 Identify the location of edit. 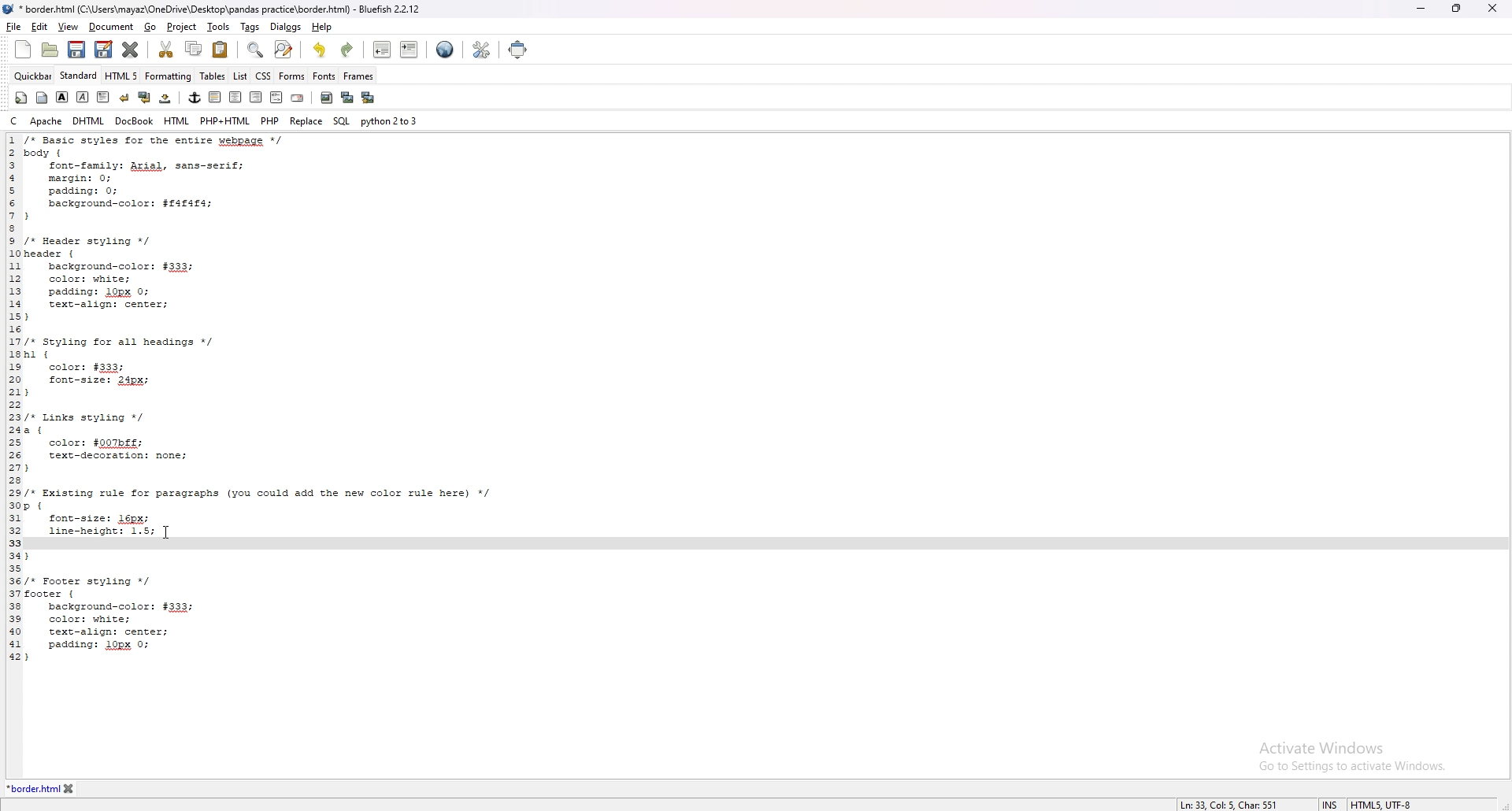
(40, 26).